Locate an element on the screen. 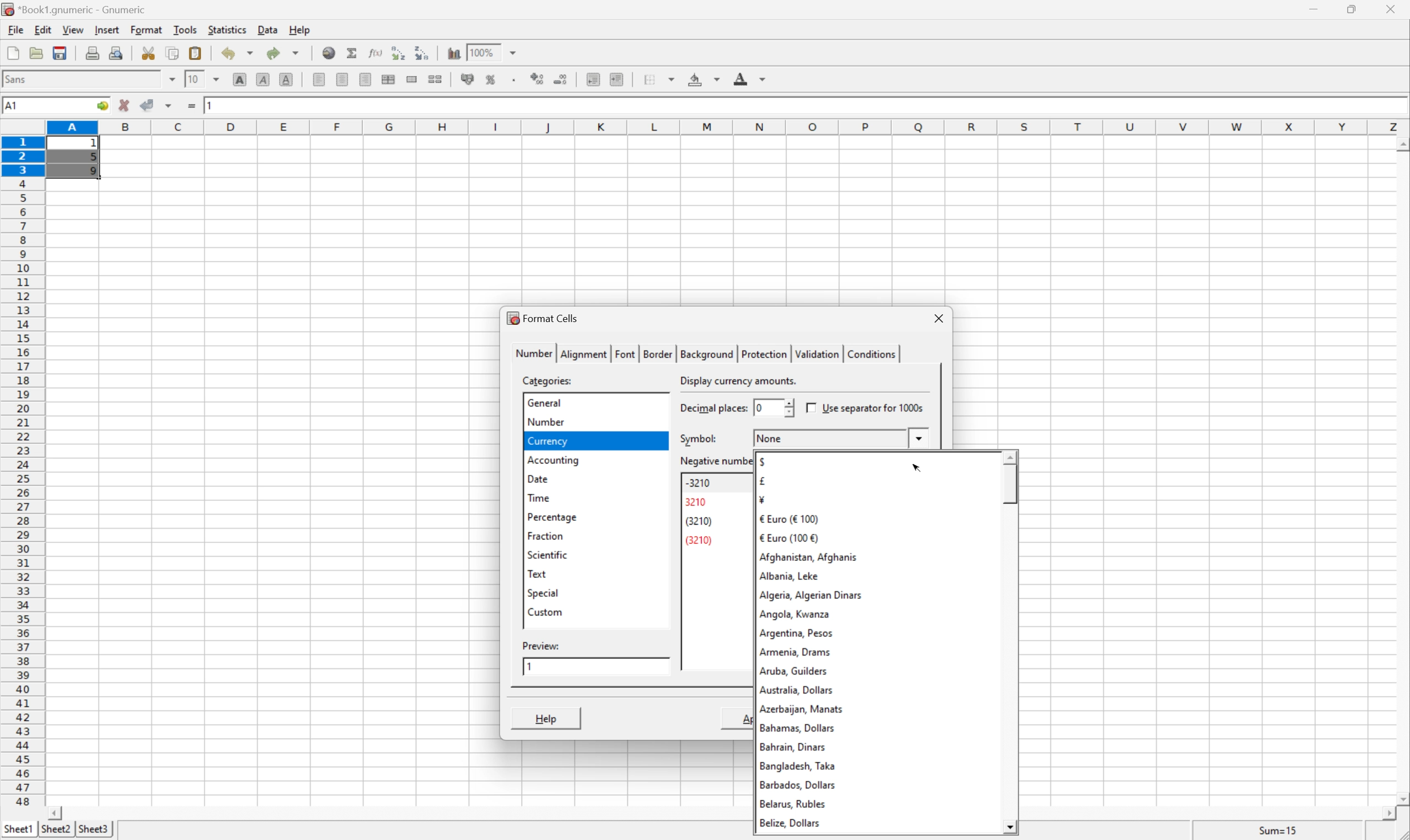 The width and height of the screenshot is (1410, 840). symbol: is located at coordinates (699, 439).